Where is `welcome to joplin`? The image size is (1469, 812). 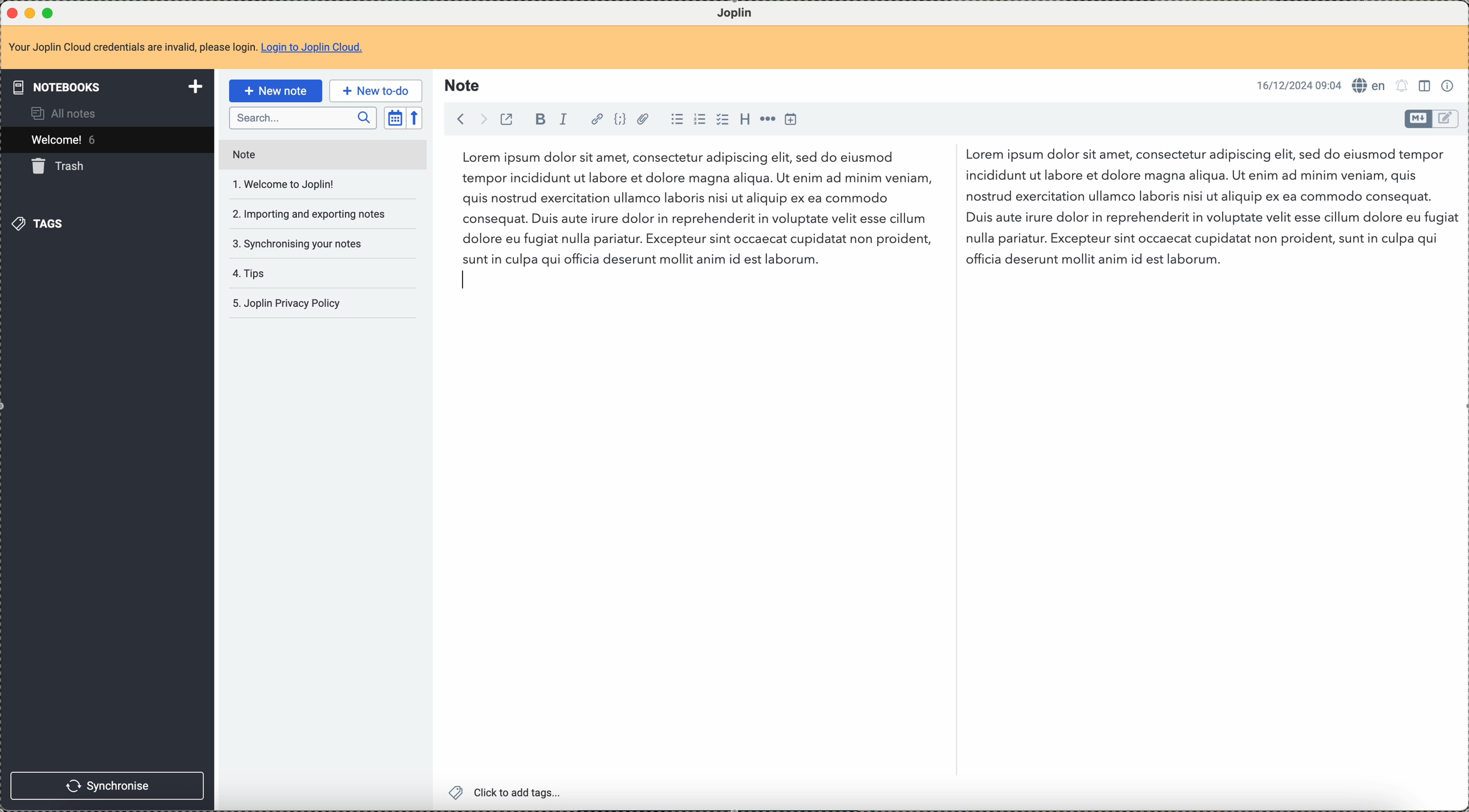
welcome to joplin is located at coordinates (289, 185).